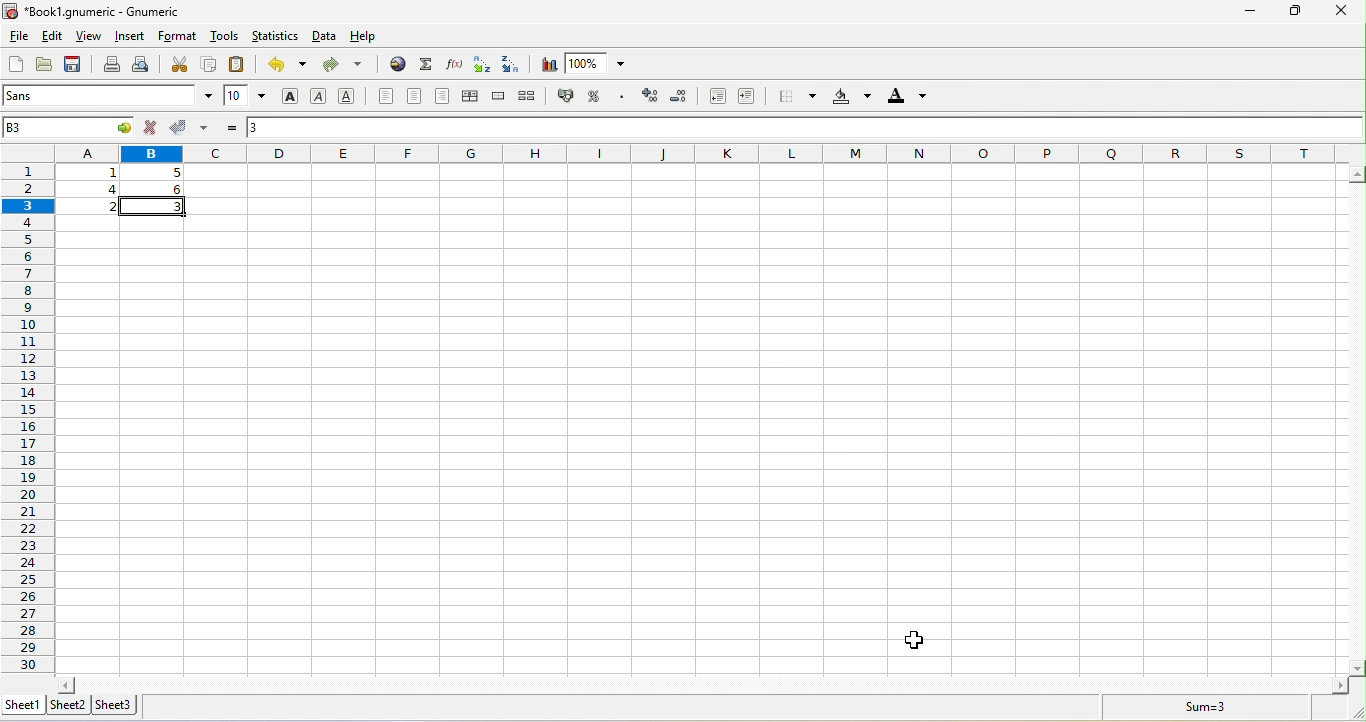 The width and height of the screenshot is (1366, 722). What do you see at coordinates (351, 97) in the screenshot?
I see `underline` at bounding box center [351, 97].